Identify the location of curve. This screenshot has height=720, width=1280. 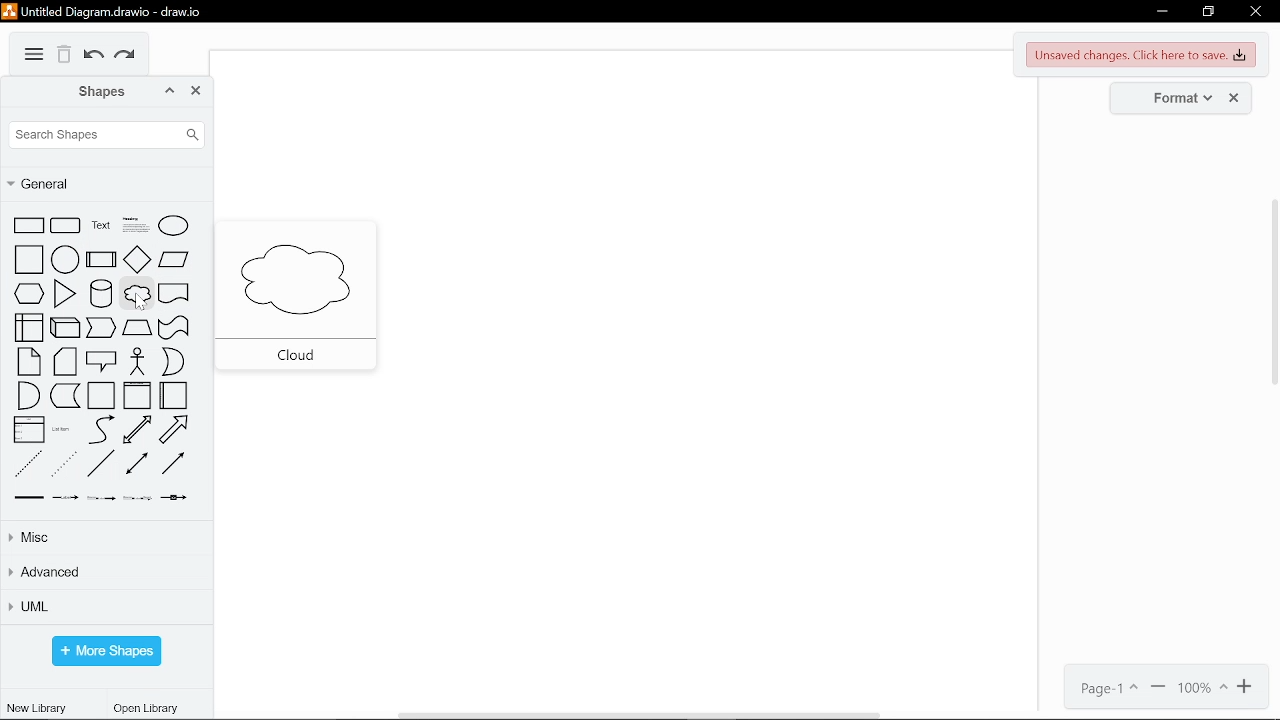
(98, 430).